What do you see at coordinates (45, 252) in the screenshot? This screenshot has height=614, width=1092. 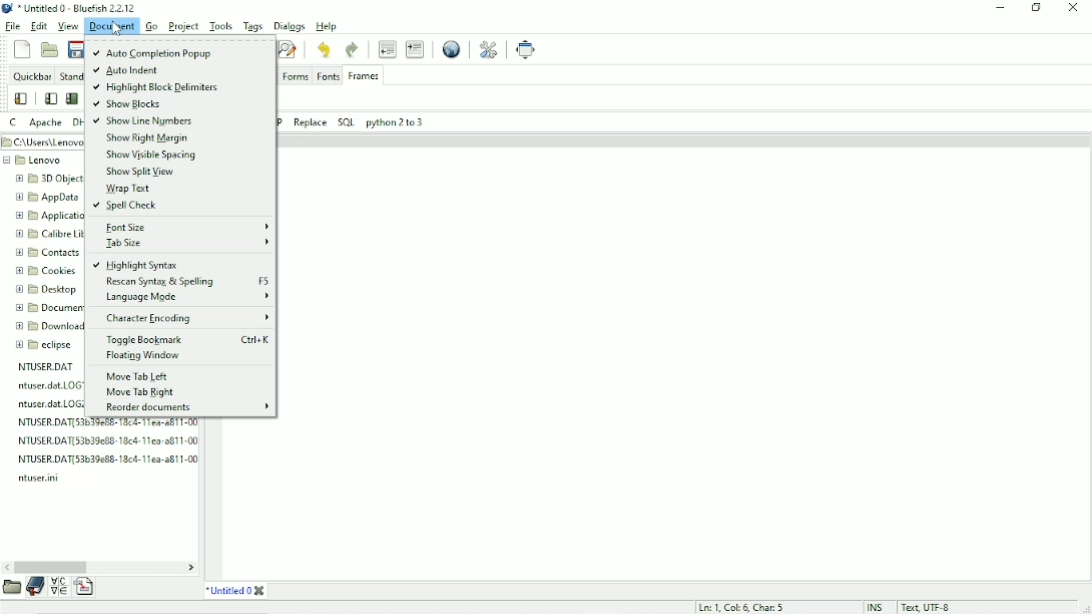 I see `Contacts` at bounding box center [45, 252].